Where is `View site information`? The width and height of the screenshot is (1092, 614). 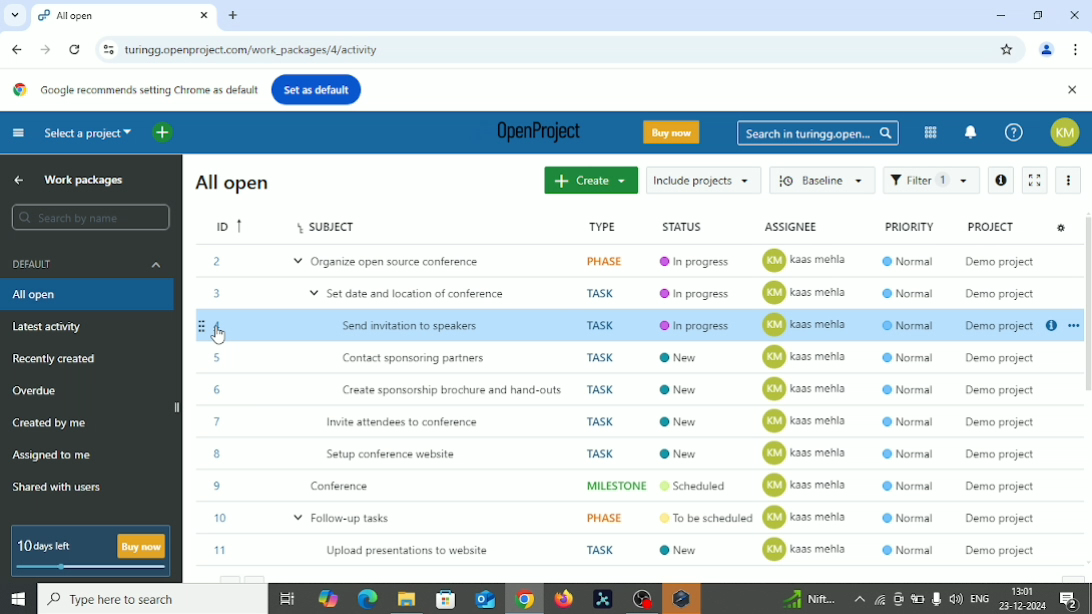 View site information is located at coordinates (106, 49).